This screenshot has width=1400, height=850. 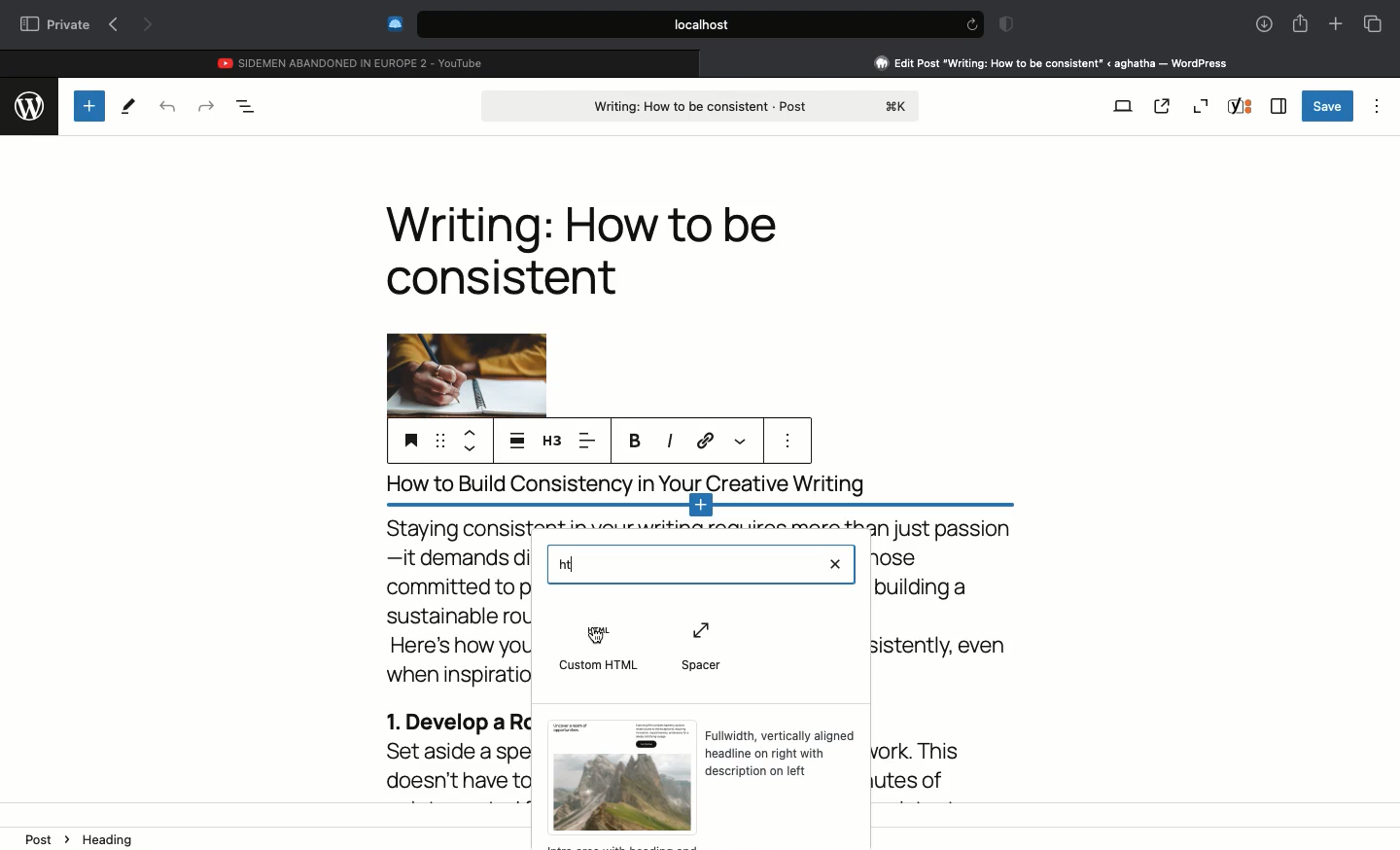 I want to click on Tabs, so click(x=1373, y=23).